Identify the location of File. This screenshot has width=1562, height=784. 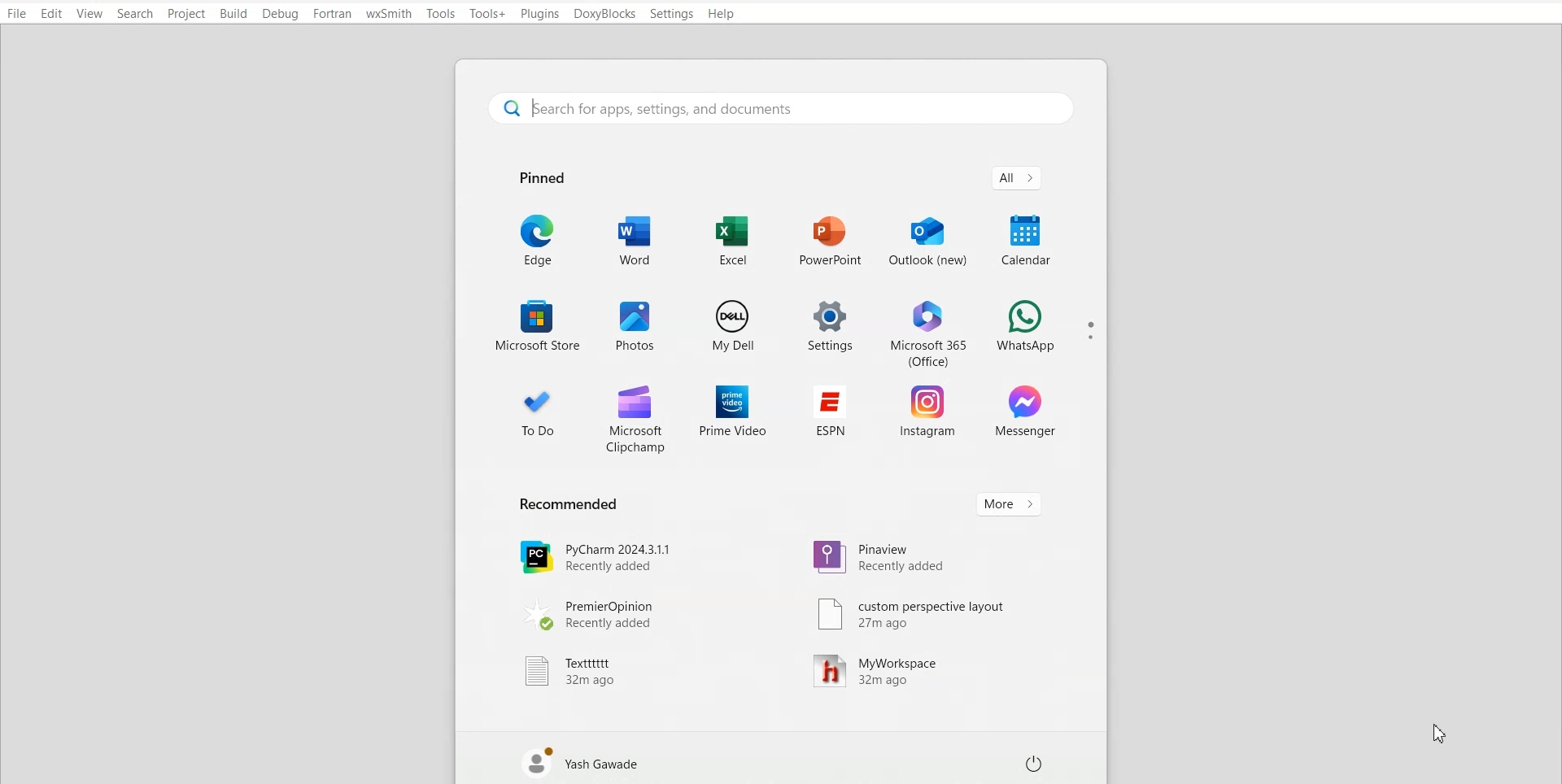
(17, 13).